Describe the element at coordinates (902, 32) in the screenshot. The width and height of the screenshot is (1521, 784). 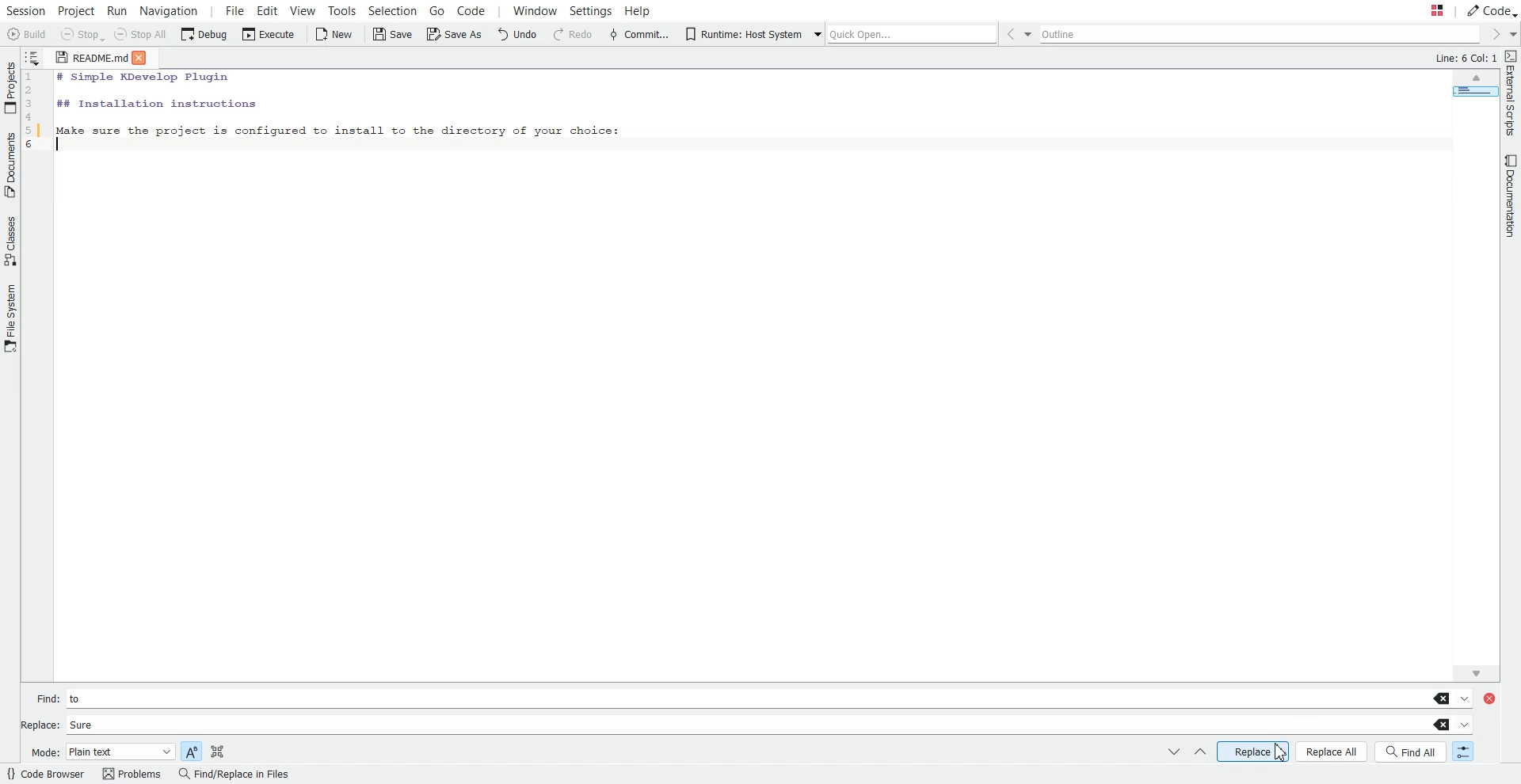
I see `Quick Open` at that location.